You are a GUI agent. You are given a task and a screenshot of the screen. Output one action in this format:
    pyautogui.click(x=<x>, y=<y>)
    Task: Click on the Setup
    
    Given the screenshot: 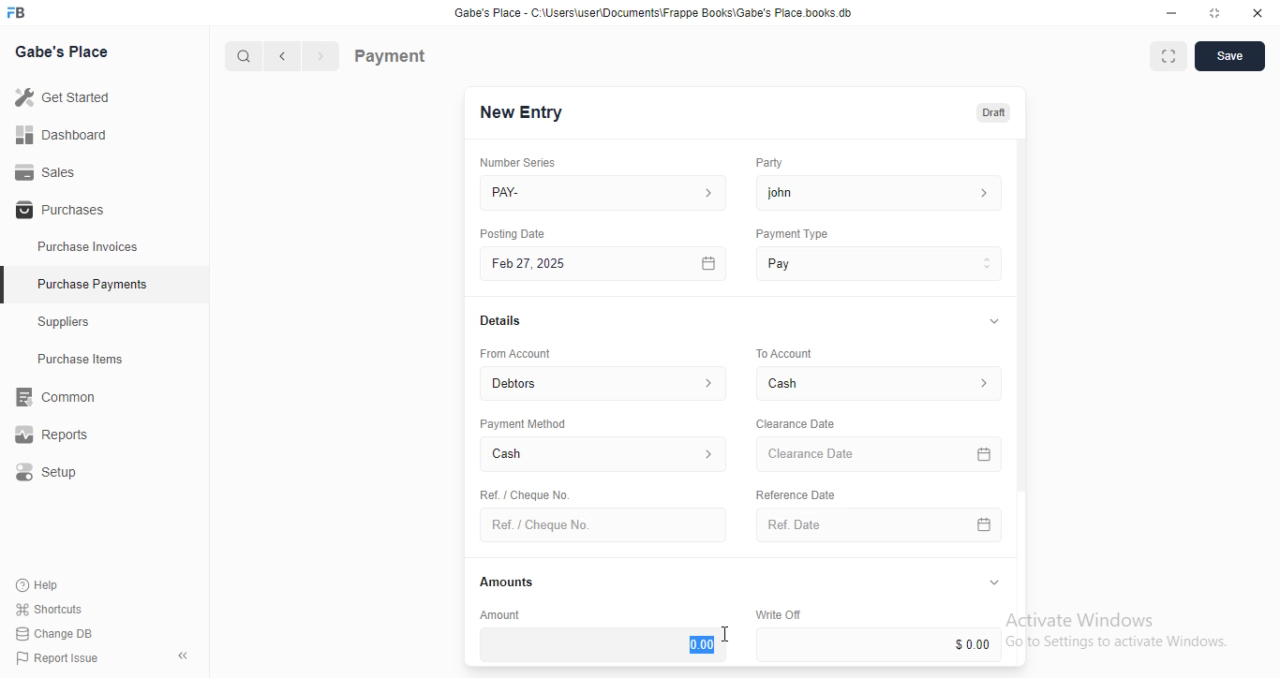 What is the action you would take?
    pyautogui.click(x=61, y=473)
    